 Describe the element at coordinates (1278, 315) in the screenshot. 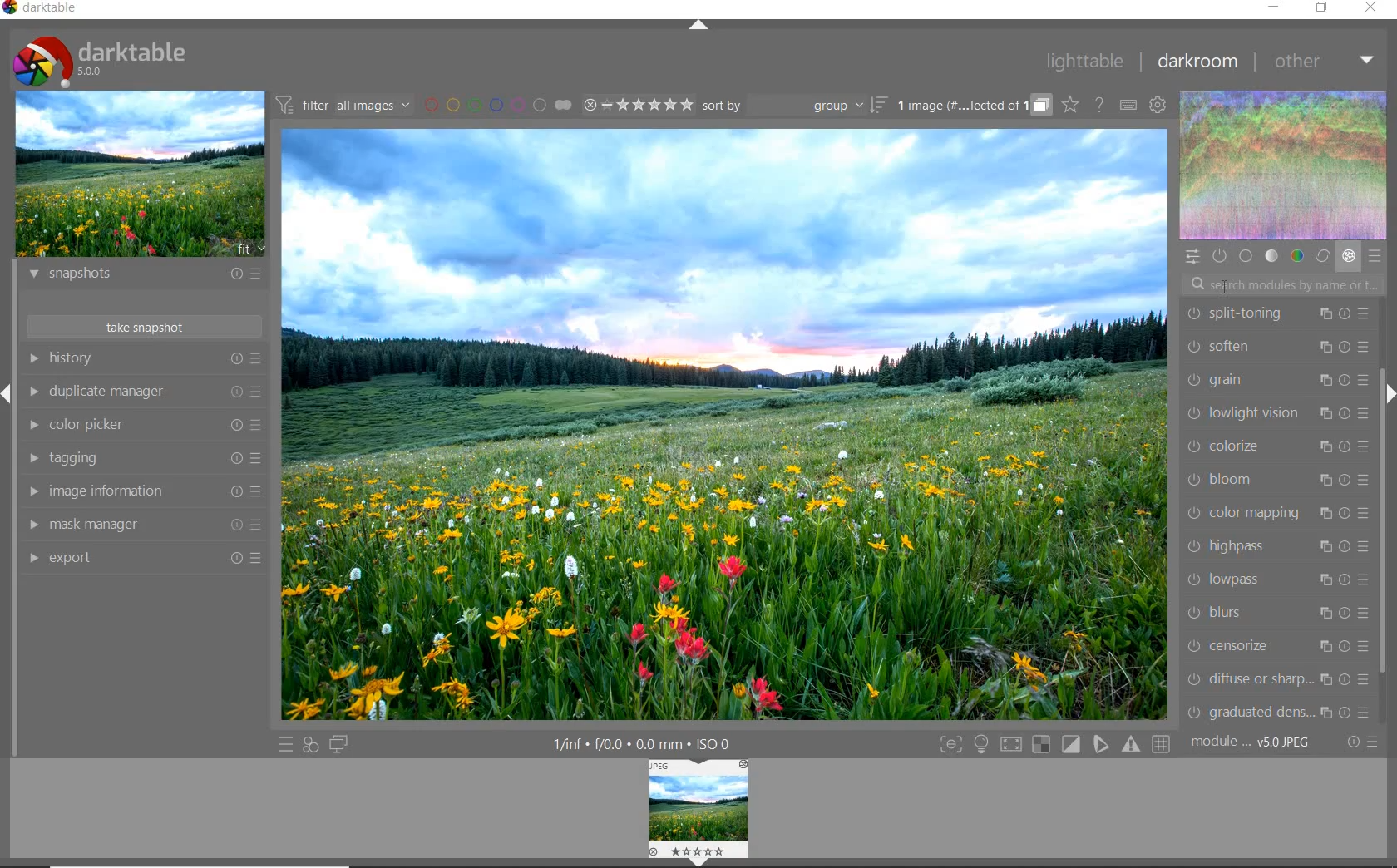

I see `split-toning` at that location.